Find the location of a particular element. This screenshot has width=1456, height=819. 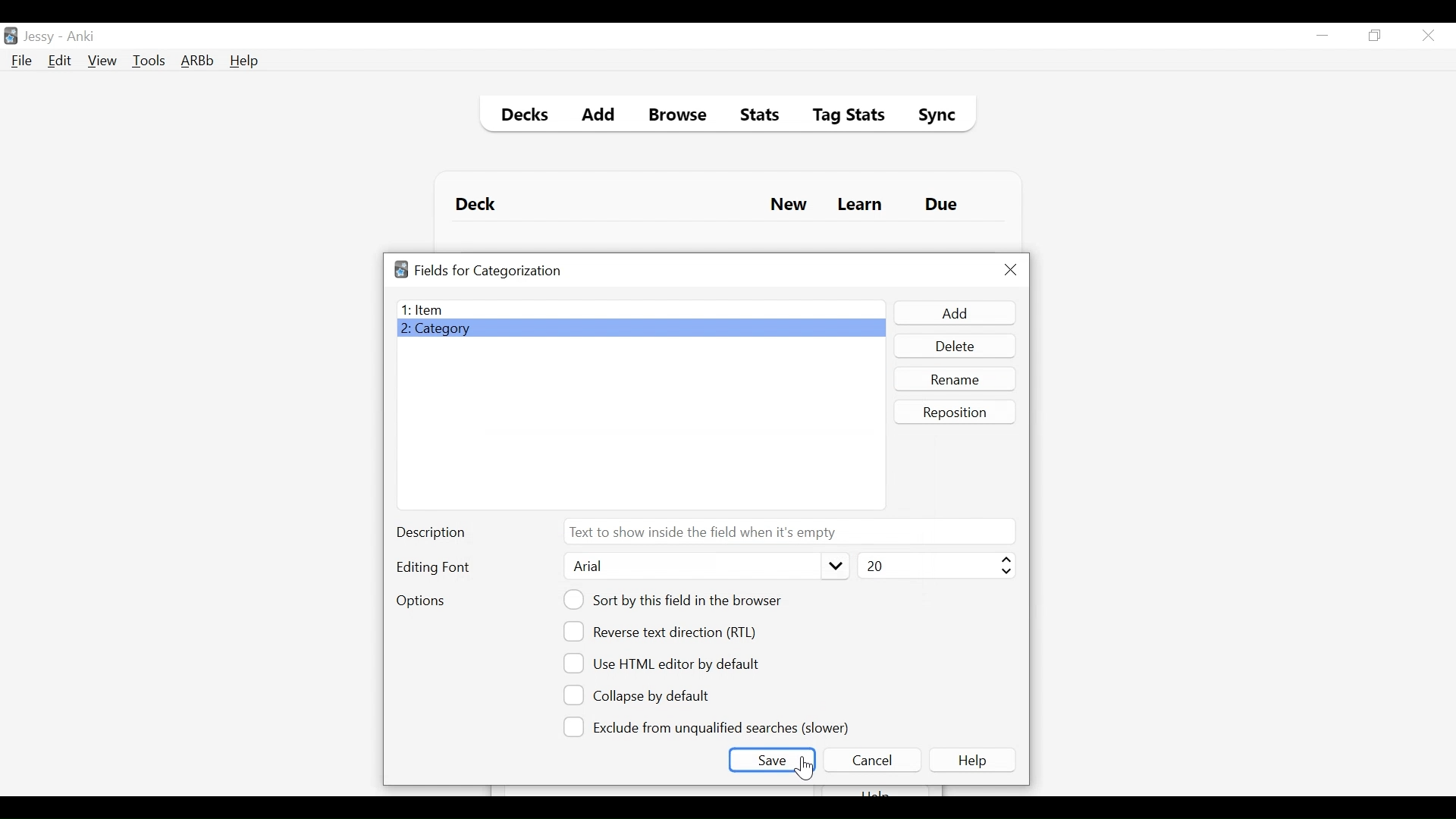

Front is located at coordinates (640, 309).